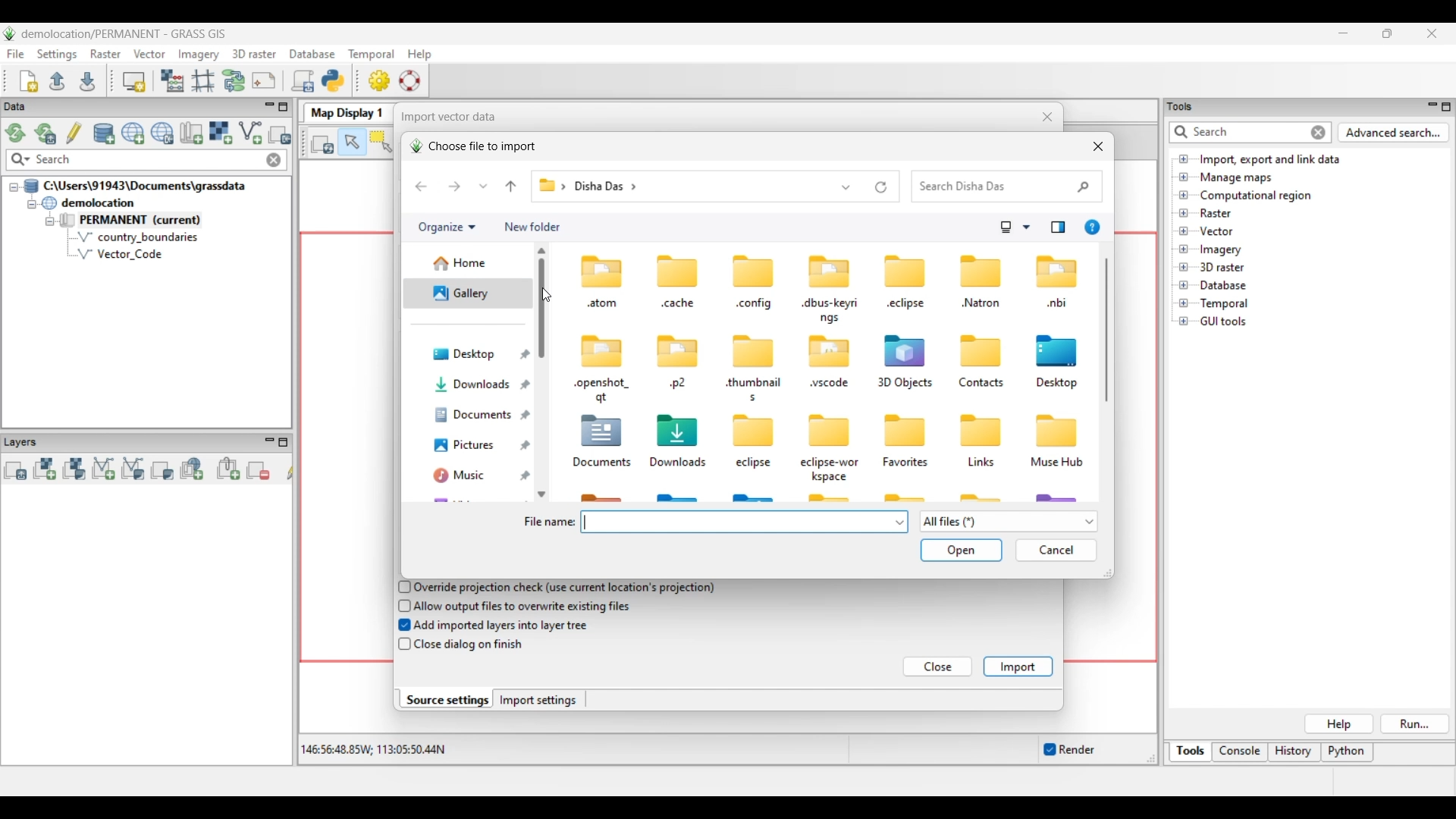 The width and height of the screenshot is (1456, 819). What do you see at coordinates (484, 186) in the screenshot?
I see `Recent locations` at bounding box center [484, 186].